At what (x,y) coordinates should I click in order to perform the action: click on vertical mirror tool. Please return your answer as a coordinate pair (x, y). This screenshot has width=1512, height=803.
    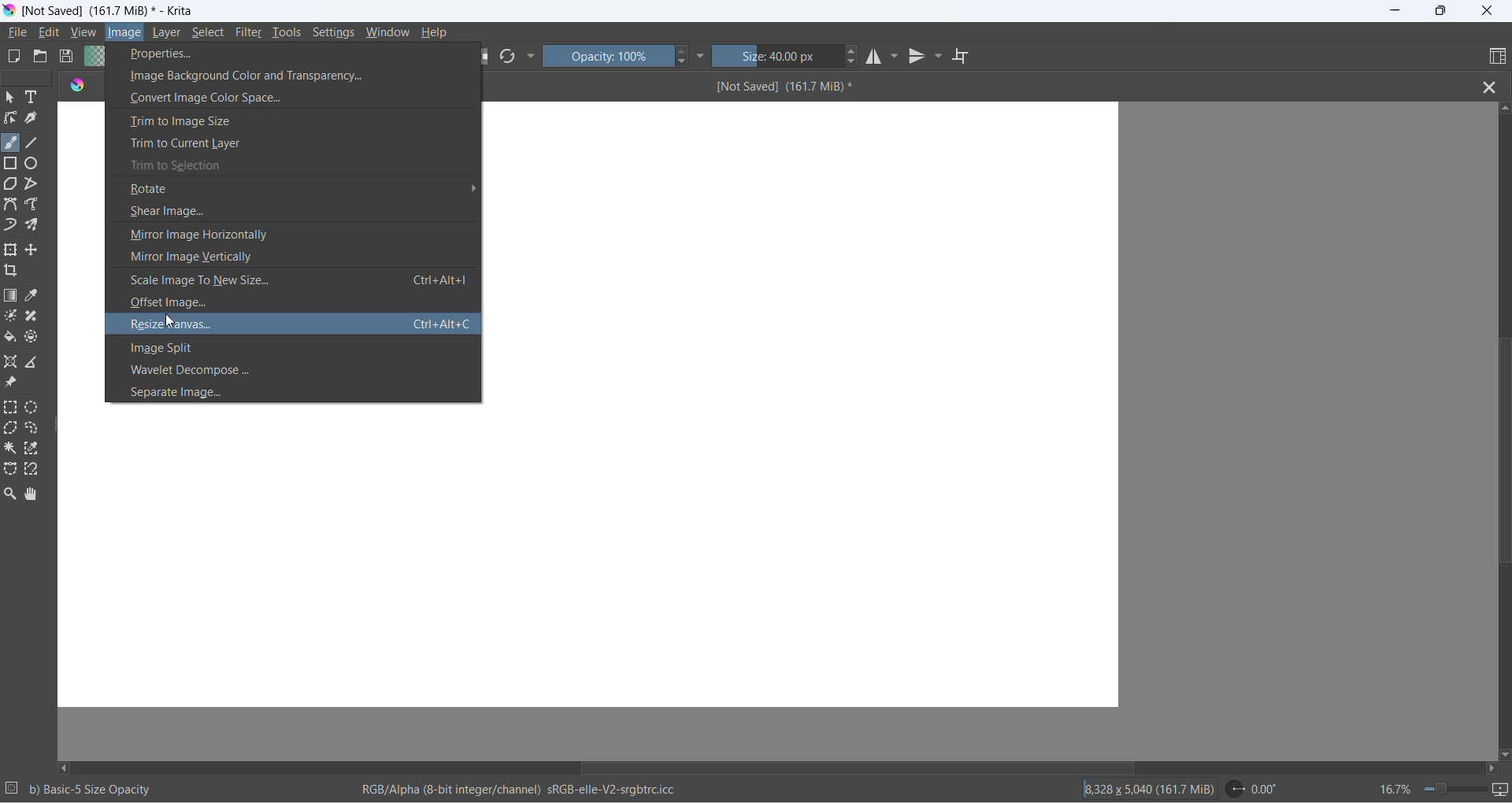
    Looking at the image, I should click on (918, 58).